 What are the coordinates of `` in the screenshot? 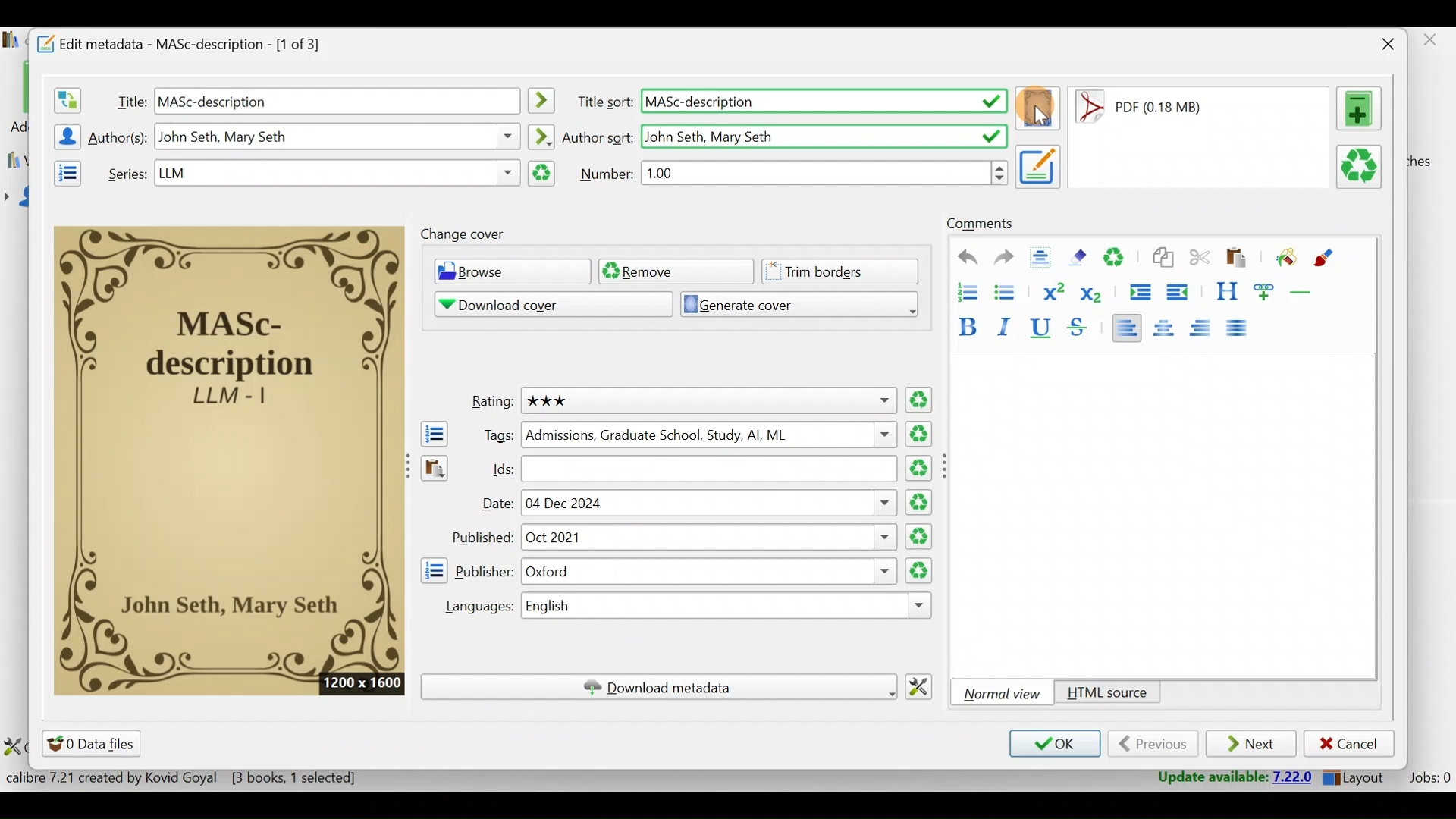 It's located at (1039, 165).